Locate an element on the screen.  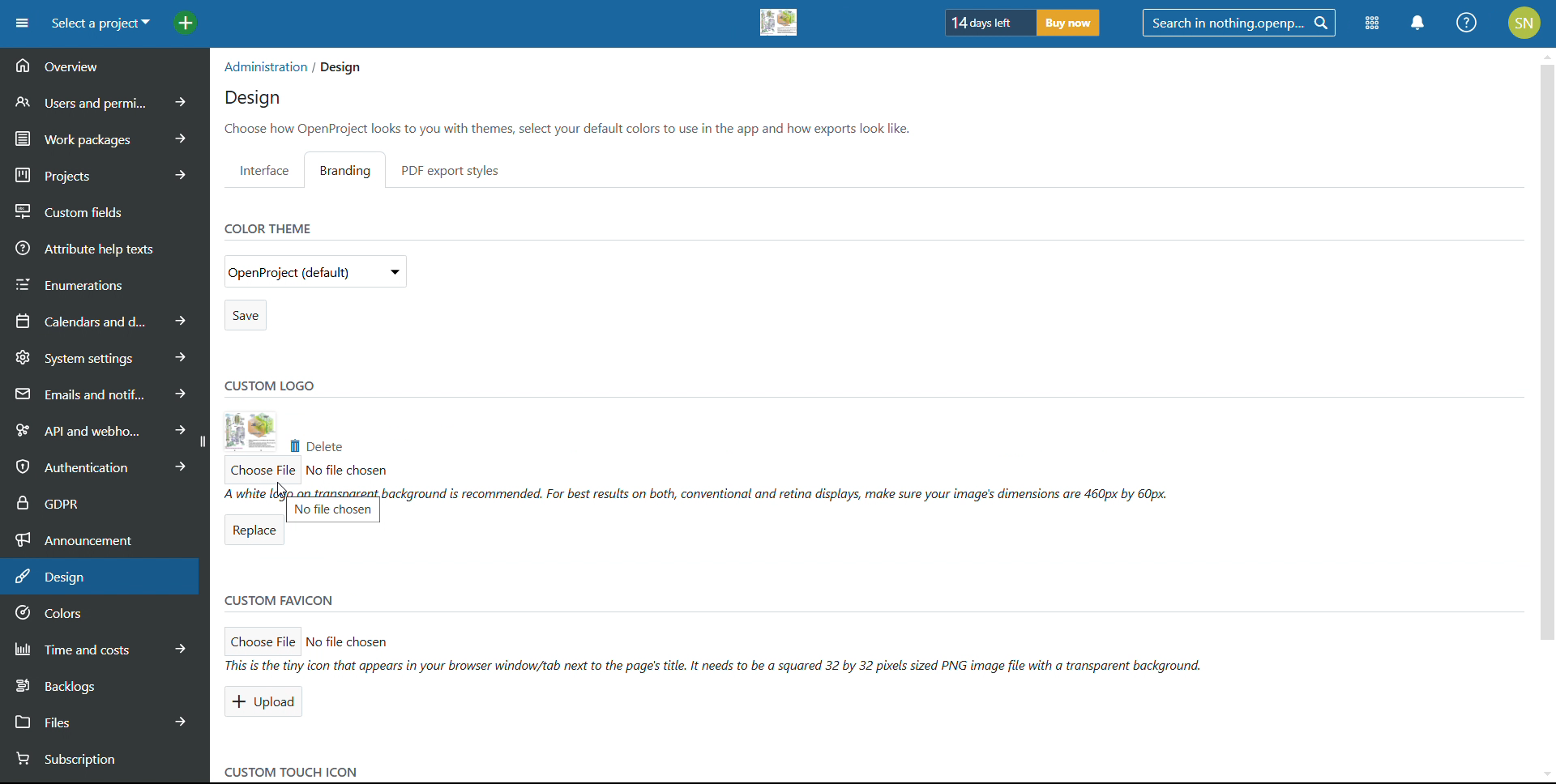
GDPR is located at coordinates (104, 501).